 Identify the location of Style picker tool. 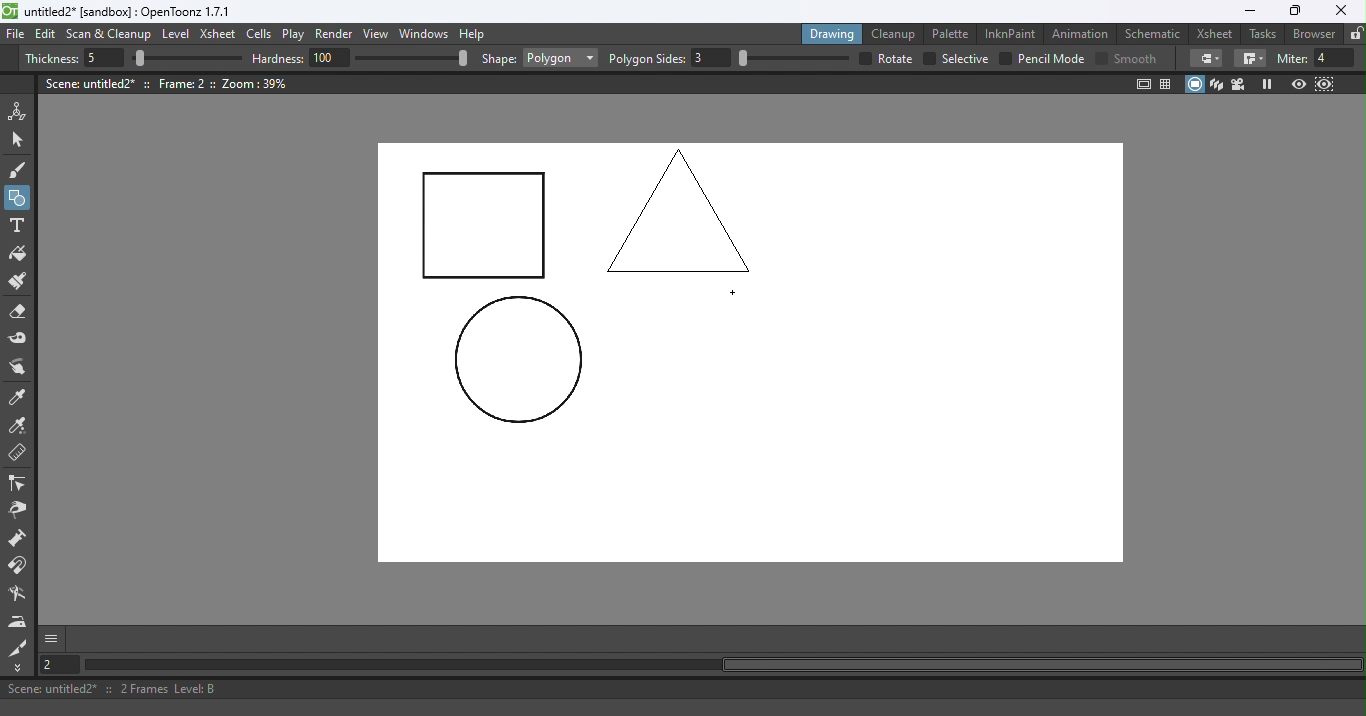
(19, 398).